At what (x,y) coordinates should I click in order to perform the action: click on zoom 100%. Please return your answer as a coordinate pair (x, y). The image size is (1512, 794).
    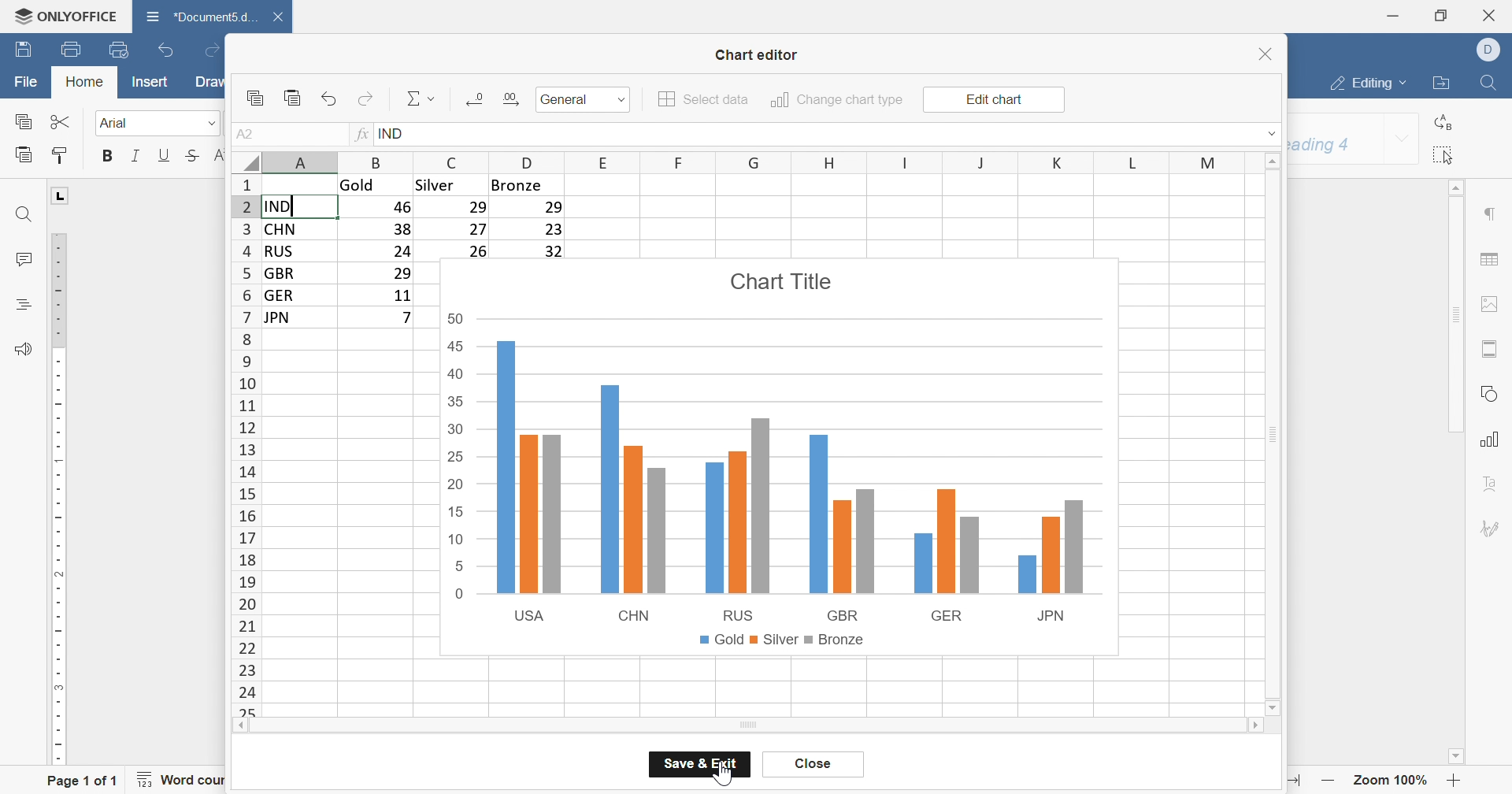
    Looking at the image, I should click on (1392, 779).